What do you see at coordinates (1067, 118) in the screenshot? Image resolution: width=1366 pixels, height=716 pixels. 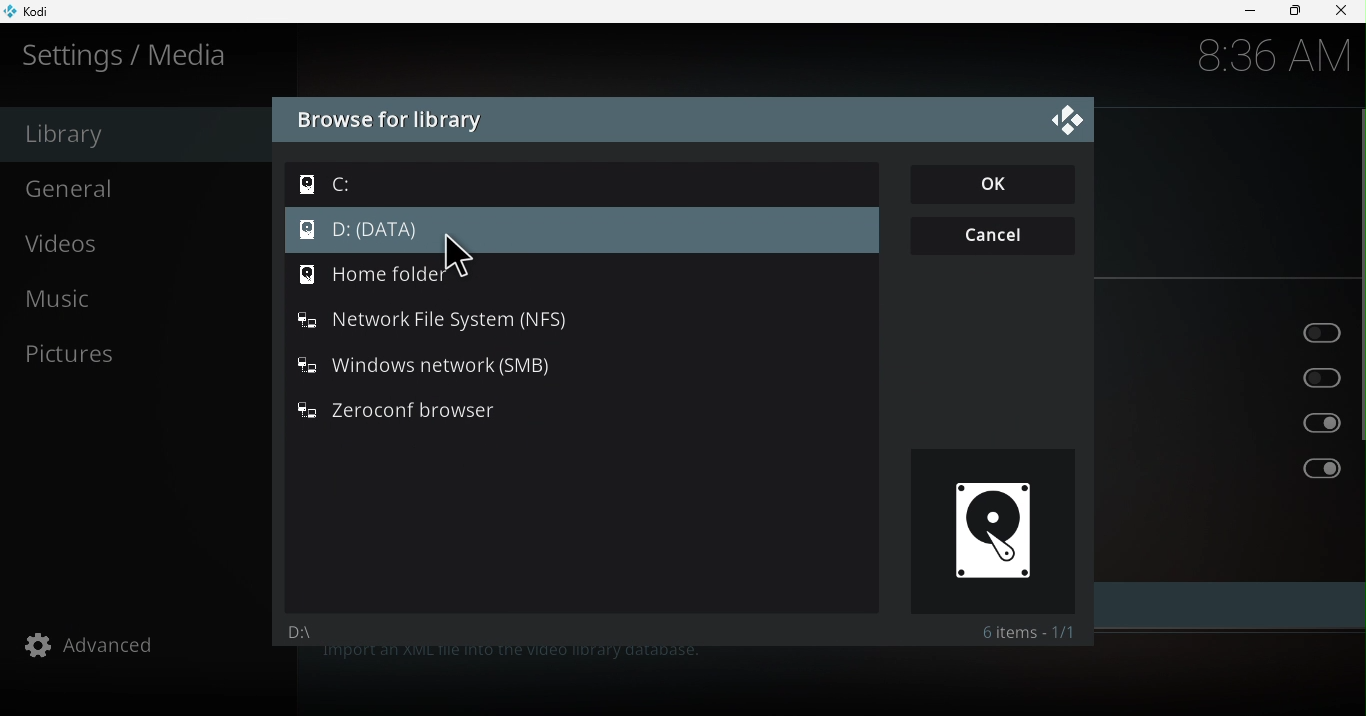 I see `Close` at bounding box center [1067, 118].